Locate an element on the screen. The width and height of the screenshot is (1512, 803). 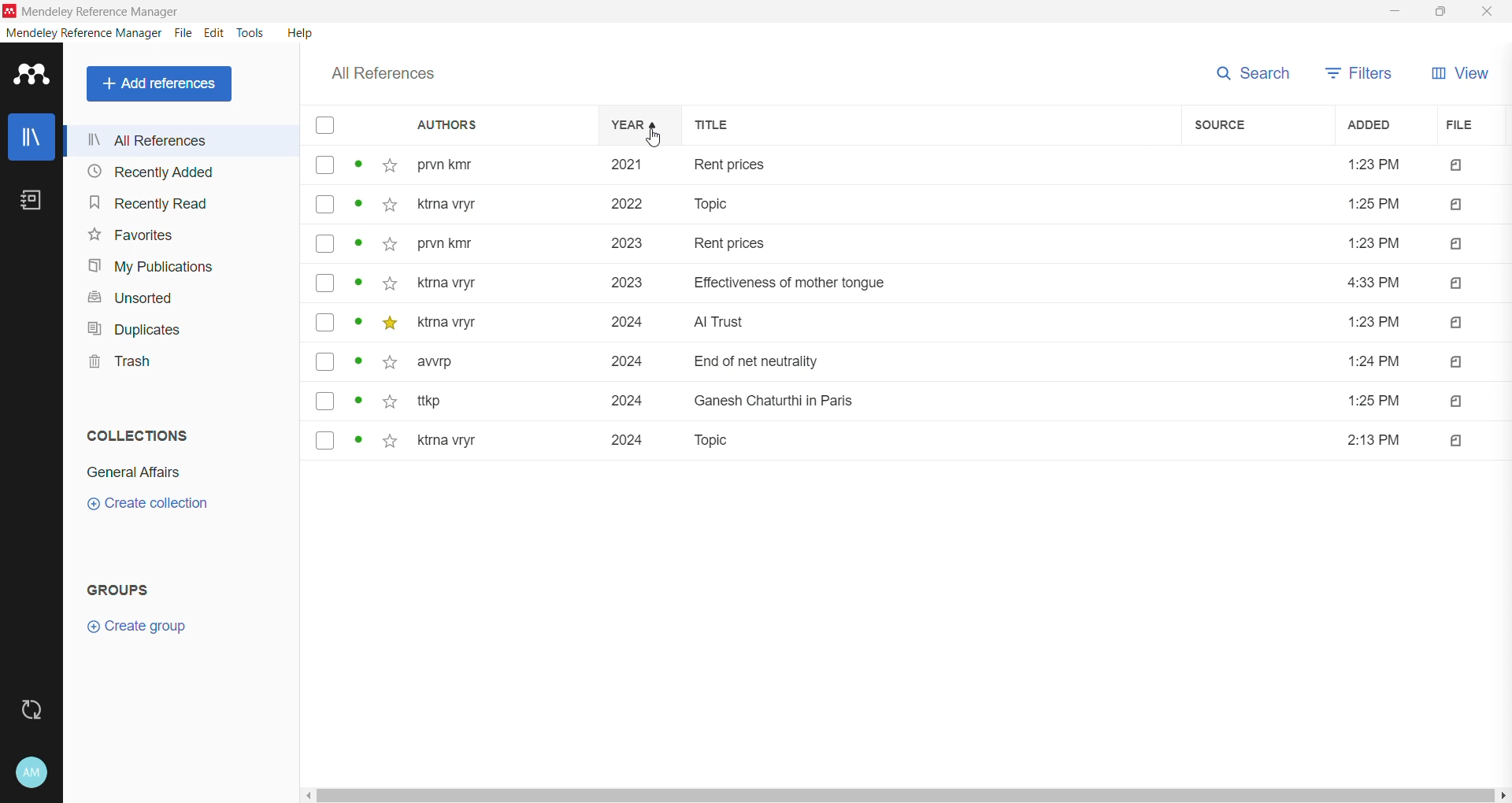
authors is located at coordinates (448, 124).